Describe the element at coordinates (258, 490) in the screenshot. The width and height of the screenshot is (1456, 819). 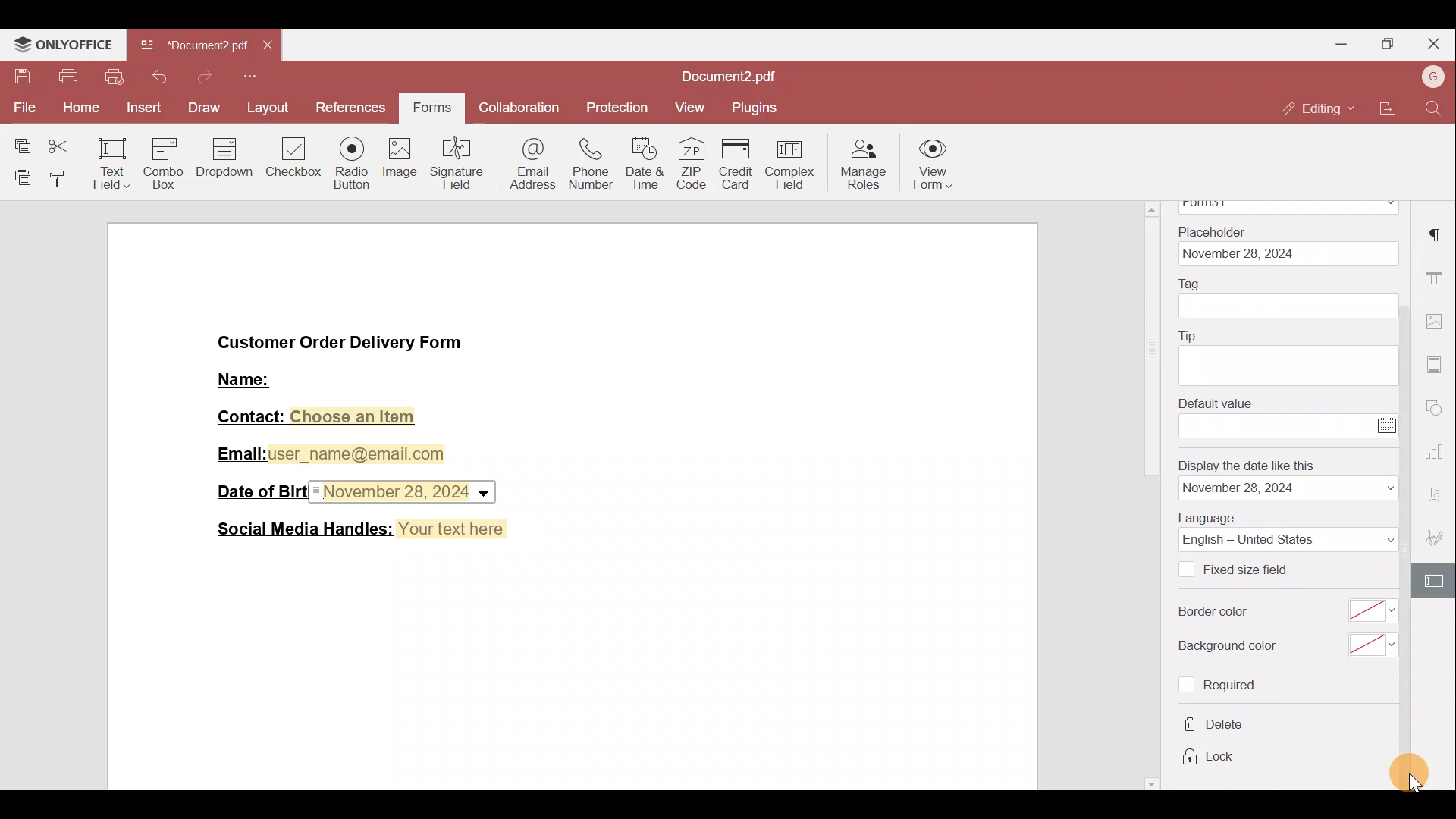
I see `Date of Birth:` at that location.